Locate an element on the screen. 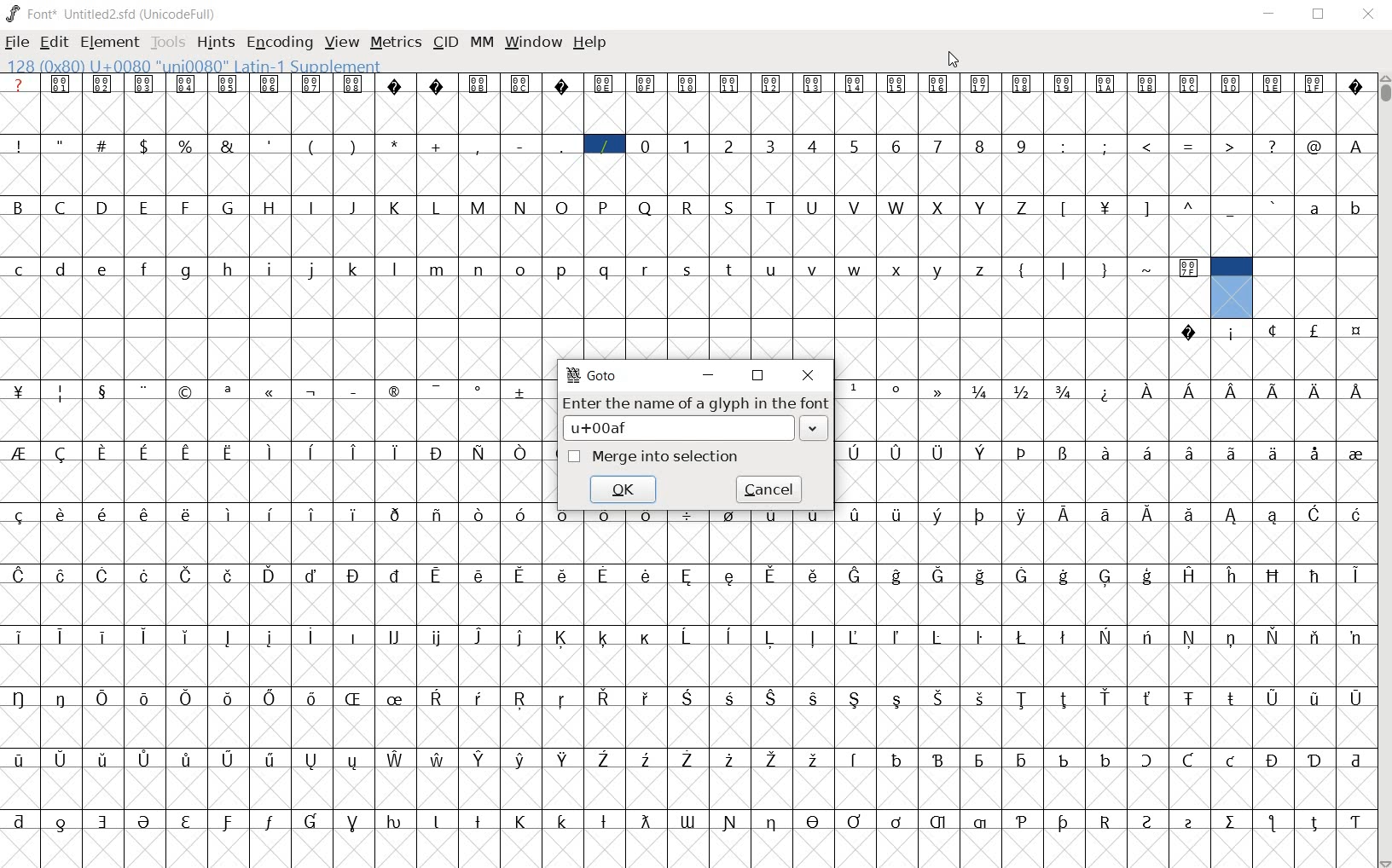 This screenshot has height=868, width=1392. 8 is located at coordinates (982, 146).